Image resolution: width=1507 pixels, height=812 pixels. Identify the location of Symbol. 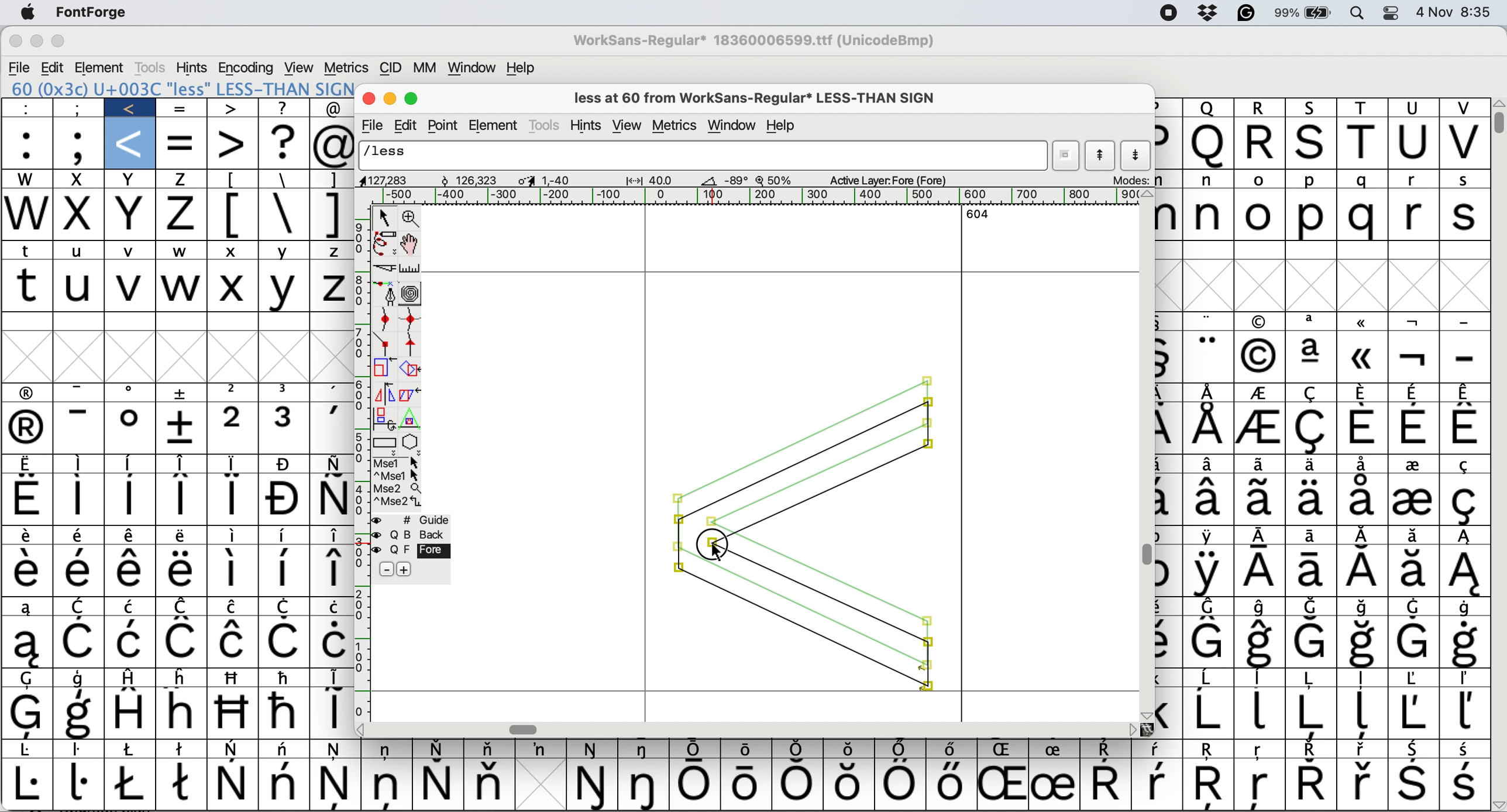
(542, 749).